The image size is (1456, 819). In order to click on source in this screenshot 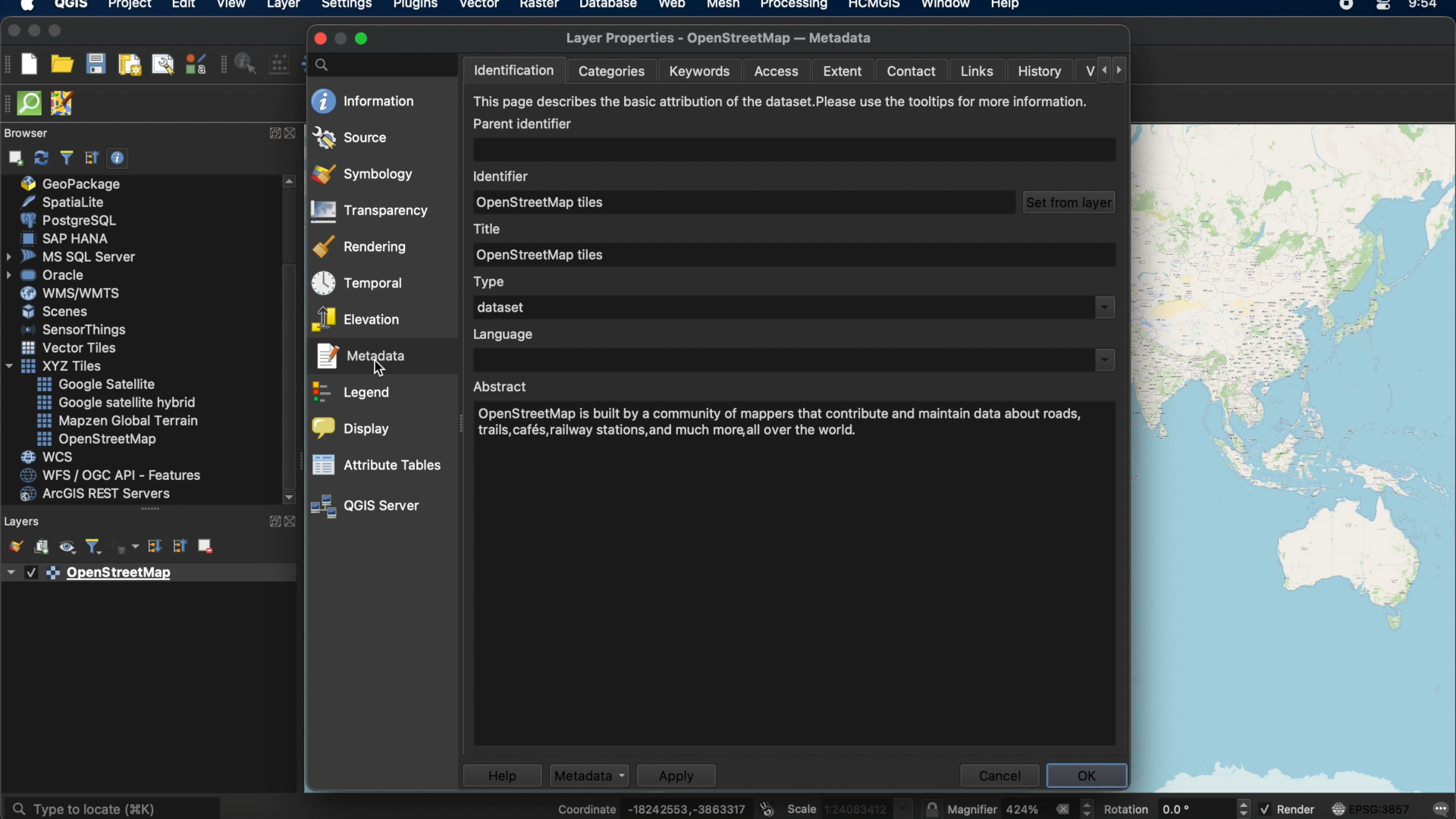, I will do `click(350, 136)`.